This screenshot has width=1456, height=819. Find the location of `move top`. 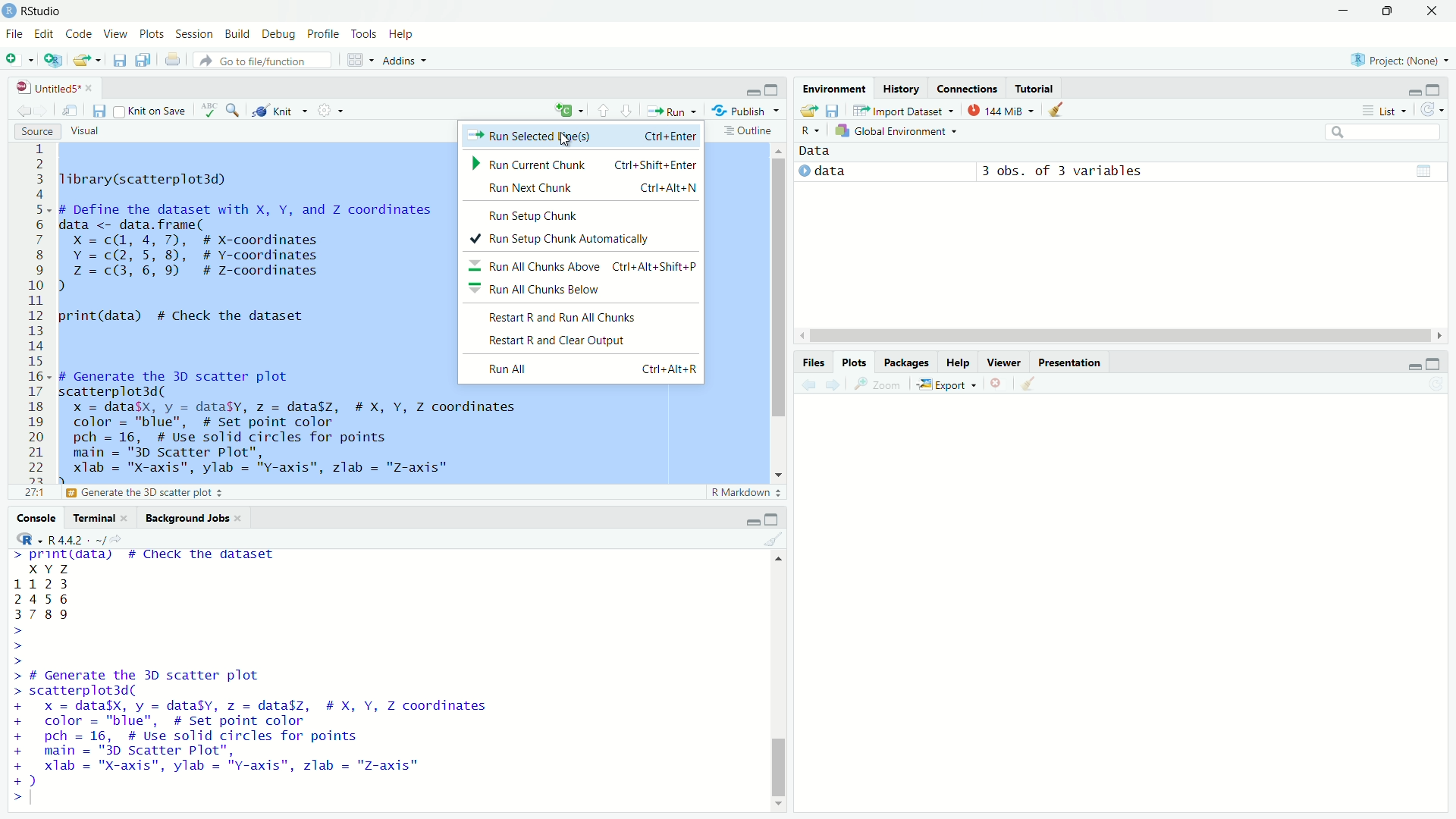

move top is located at coordinates (778, 557).